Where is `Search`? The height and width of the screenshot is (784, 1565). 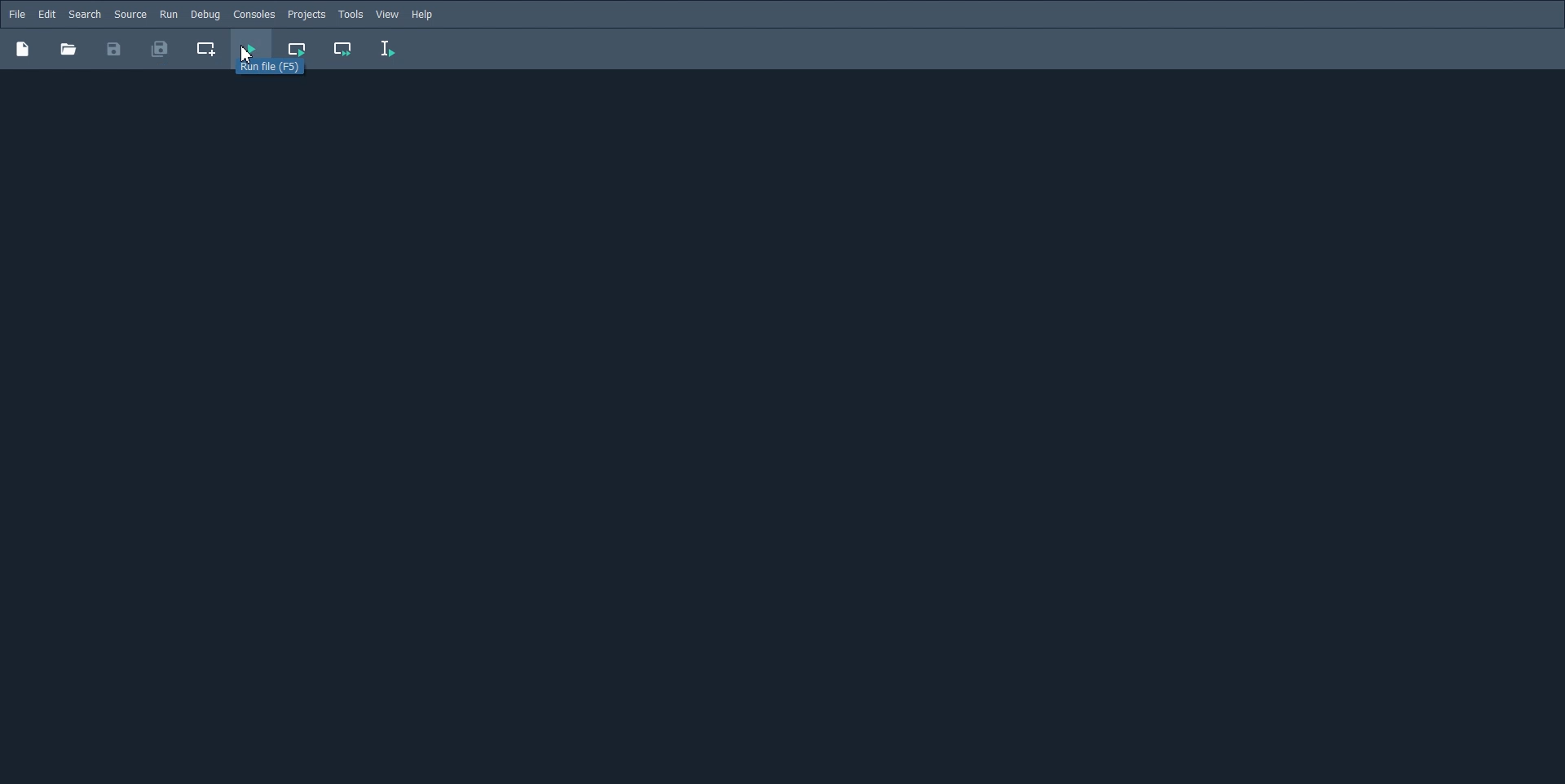
Search is located at coordinates (85, 15).